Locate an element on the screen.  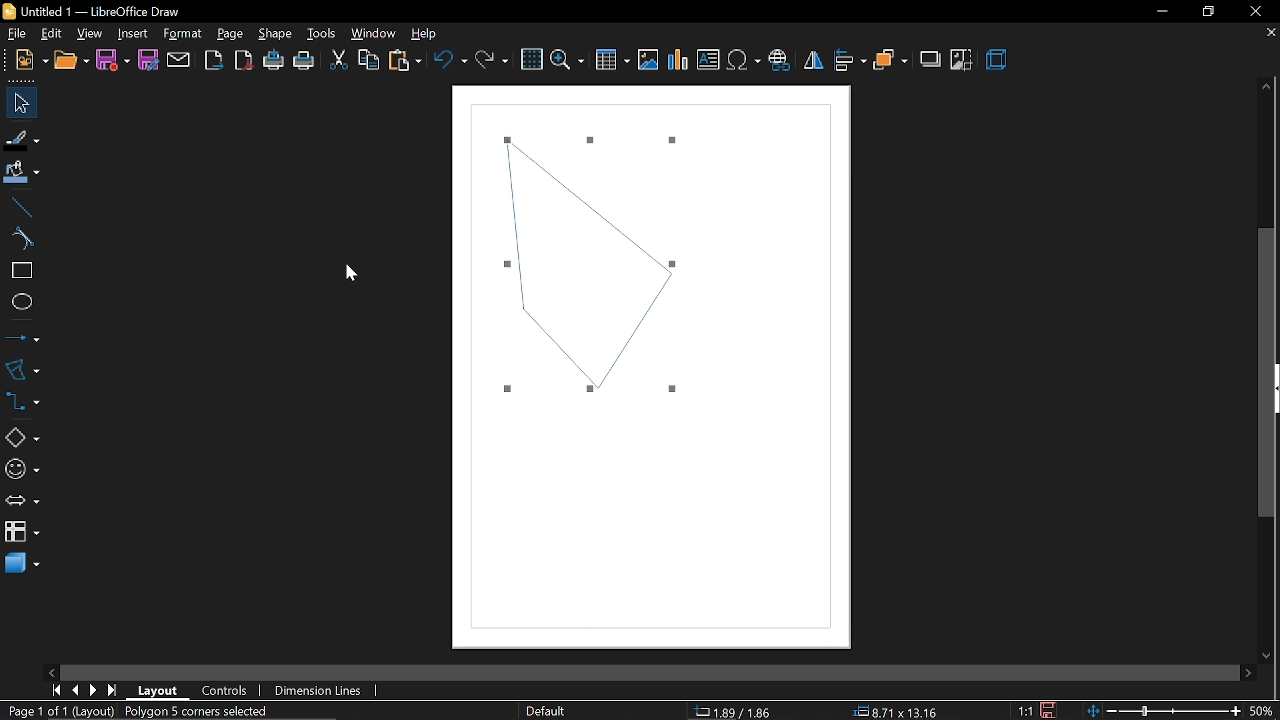
3d effect is located at coordinates (997, 60).